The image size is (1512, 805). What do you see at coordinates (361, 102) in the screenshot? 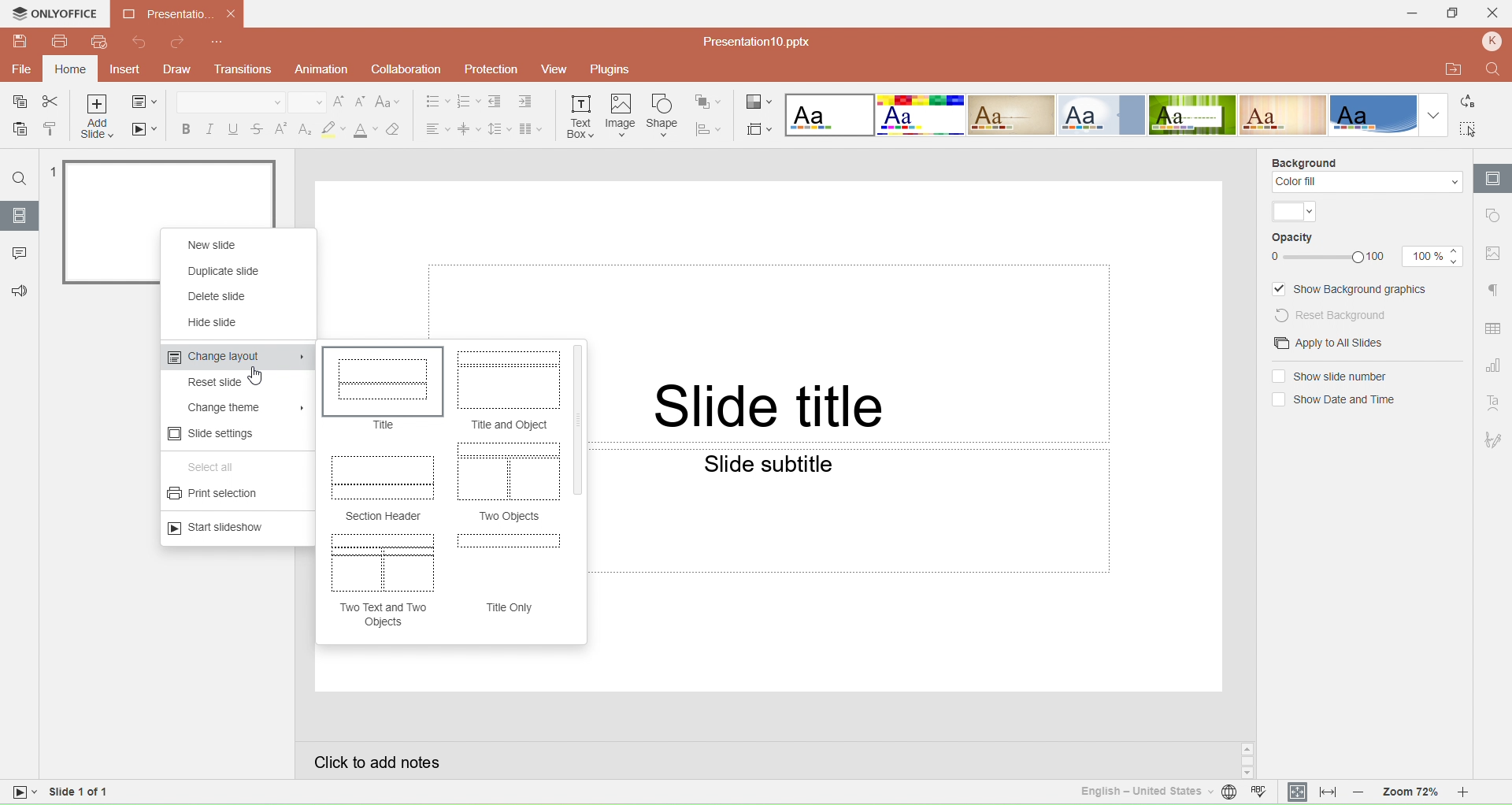
I see `Decrement font size` at bounding box center [361, 102].